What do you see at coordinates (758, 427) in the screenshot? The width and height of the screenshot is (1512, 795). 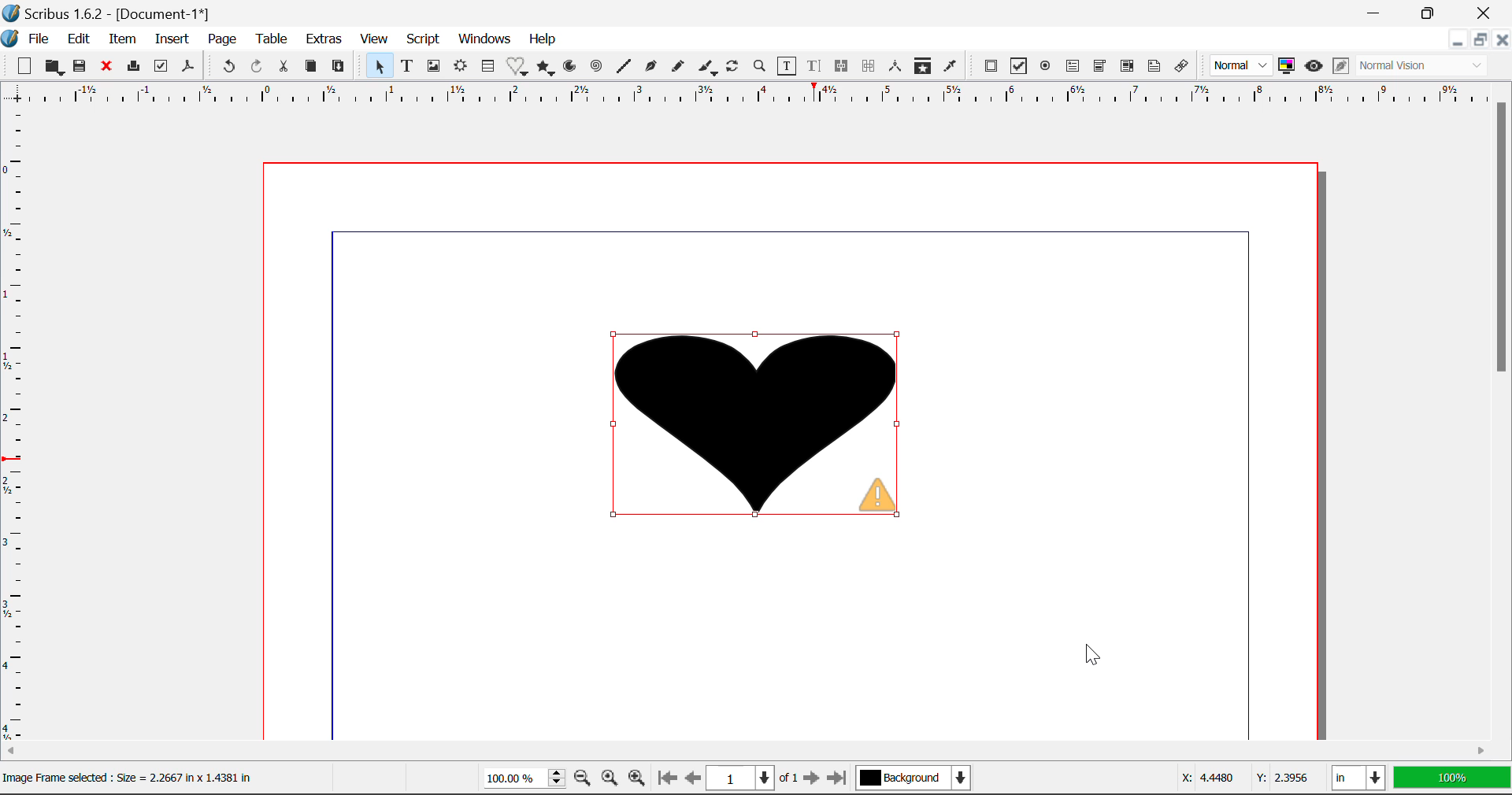 I see `Image fitted into heart shape frame` at bounding box center [758, 427].